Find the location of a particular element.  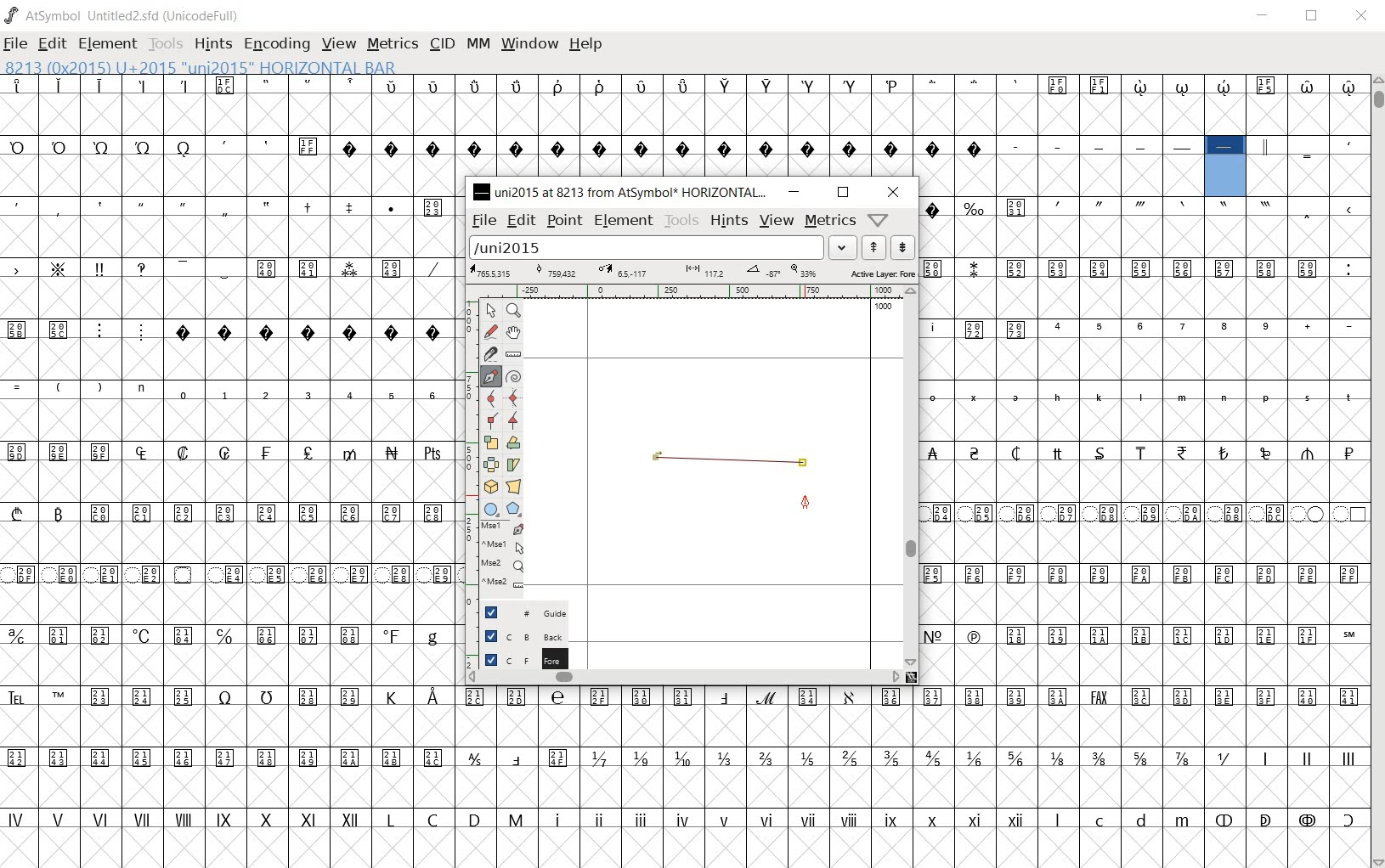

change whether spiro is active or not is located at coordinates (515, 377).